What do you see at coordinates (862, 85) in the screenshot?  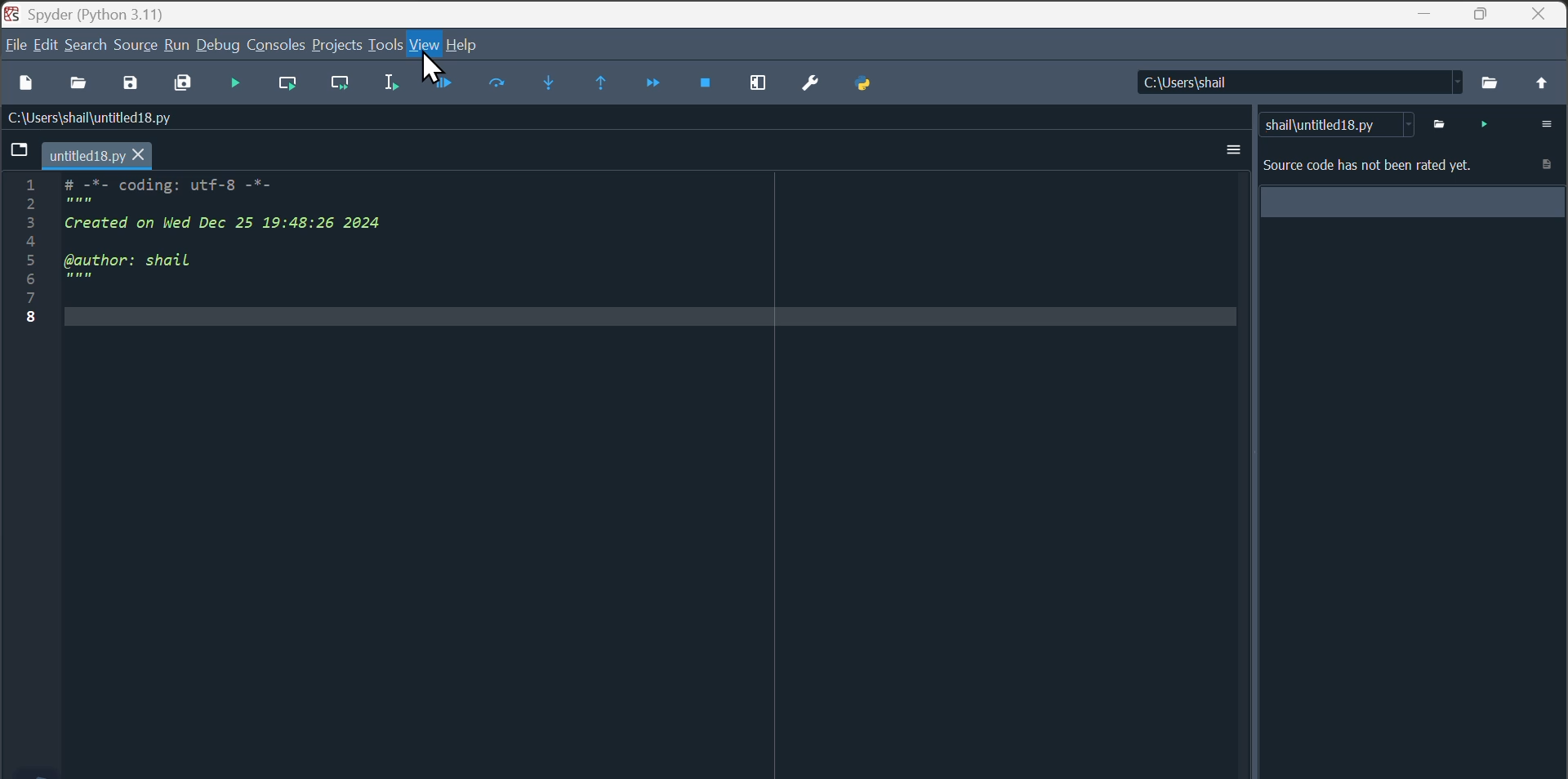 I see `Python path manager` at bounding box center [862, 85].